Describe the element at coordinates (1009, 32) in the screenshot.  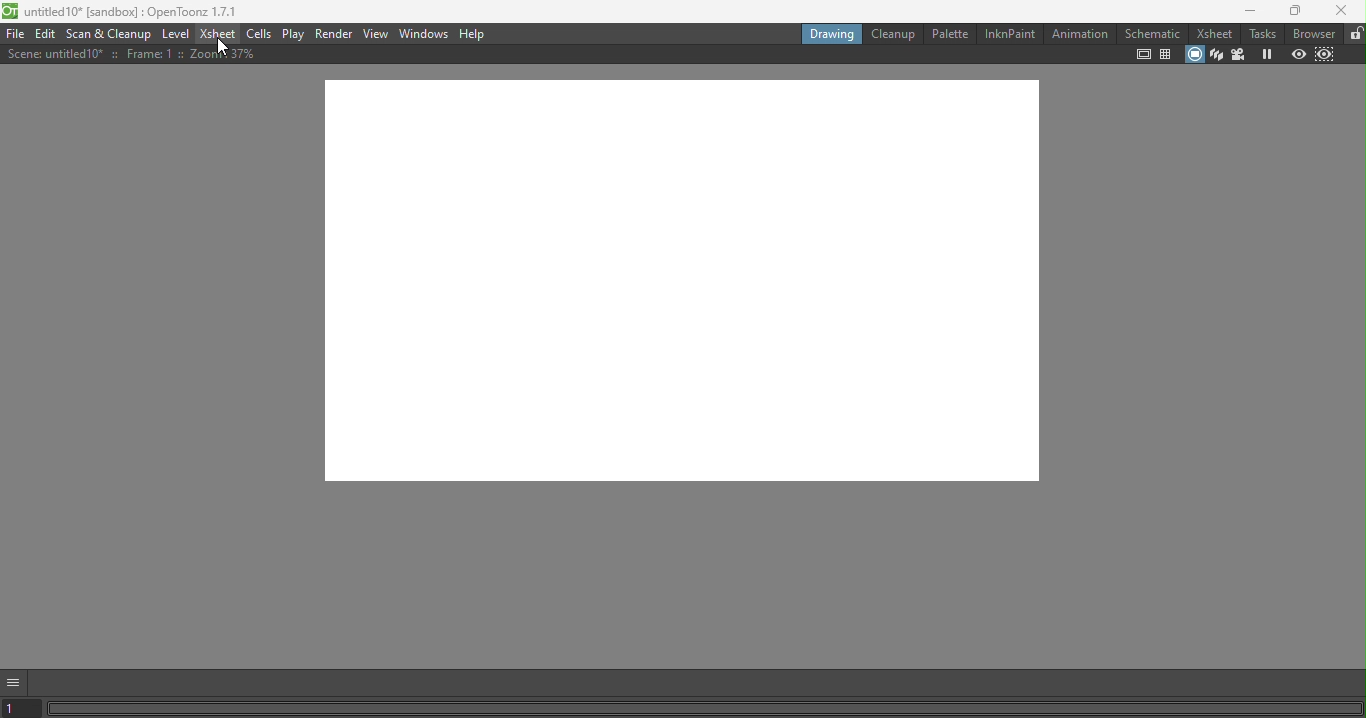
I see `InknPaint` at that location.